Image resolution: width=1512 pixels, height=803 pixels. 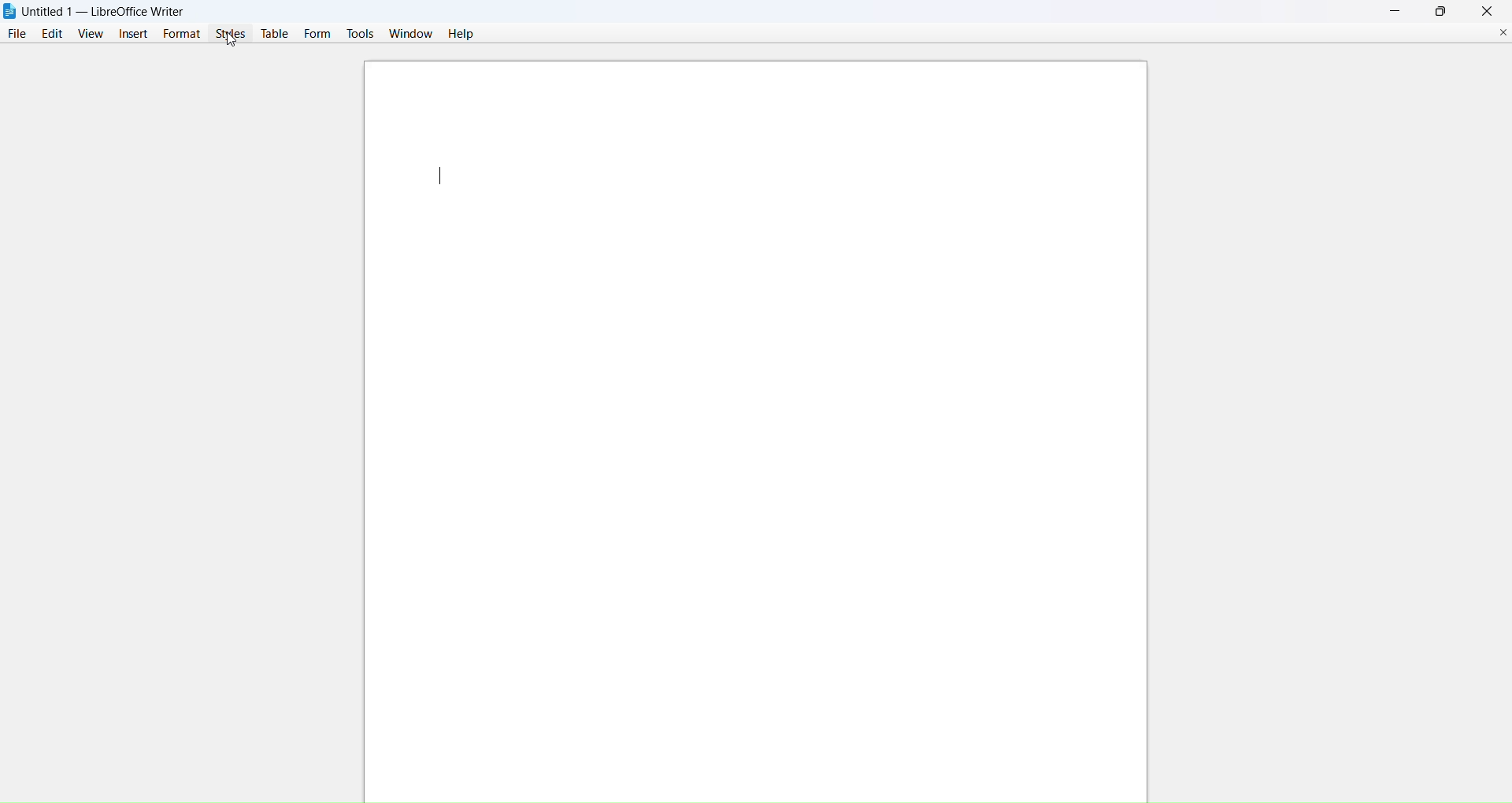 What do you see at coordinates (319, 33) in the screenshot?
I see `form` at bounding box center [319, 33].